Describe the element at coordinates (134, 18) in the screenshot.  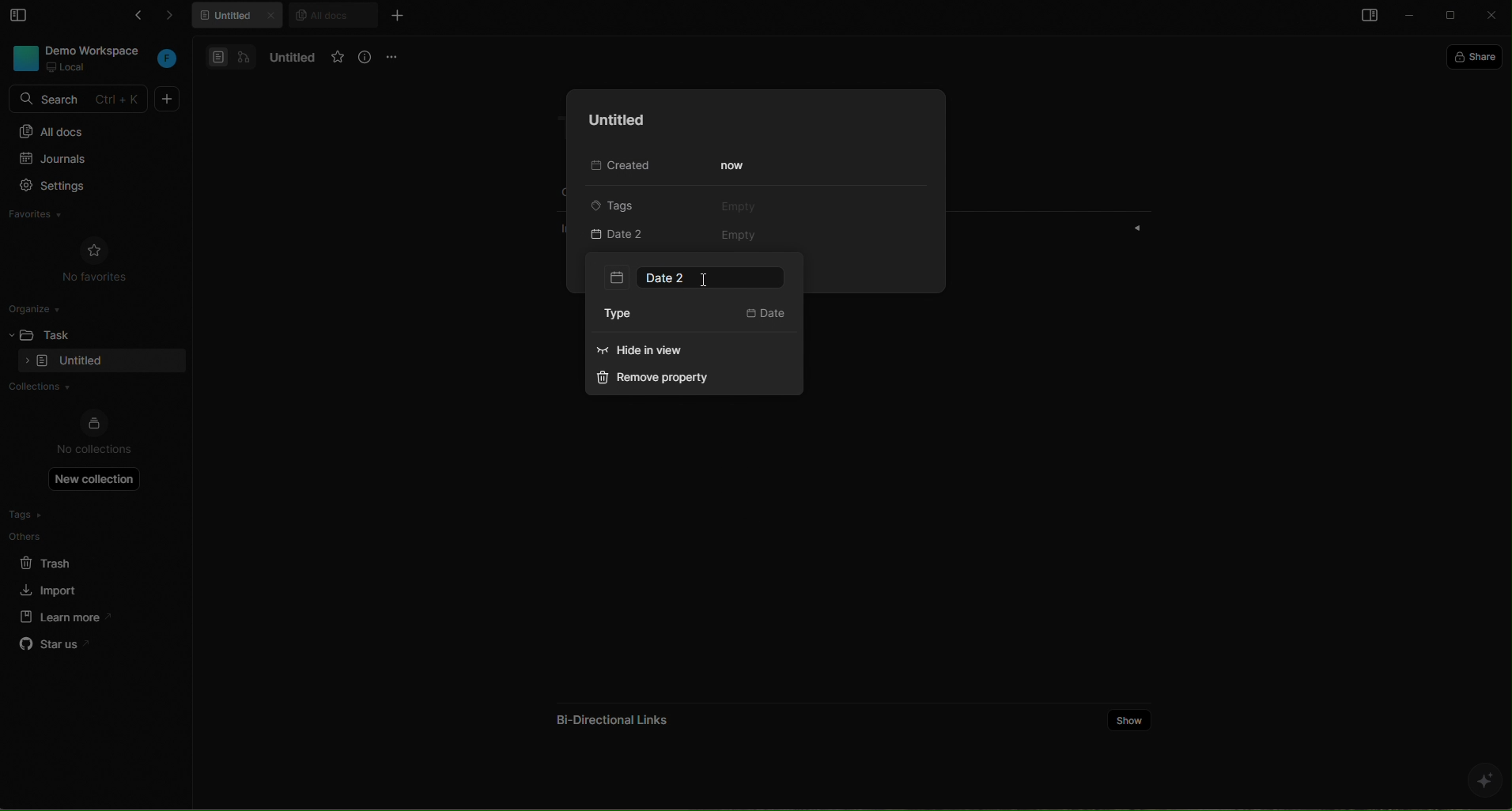
I see `go back` at that location.